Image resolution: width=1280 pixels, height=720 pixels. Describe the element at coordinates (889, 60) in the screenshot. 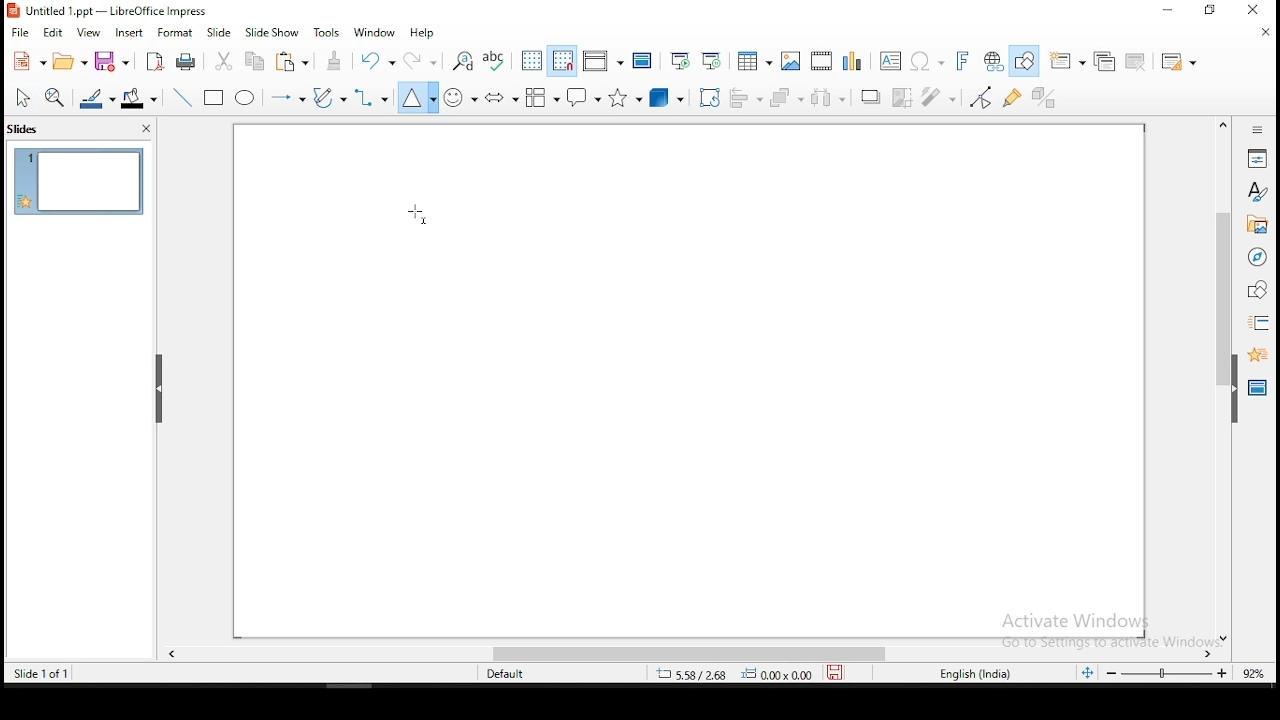

I see `text box` at that location.